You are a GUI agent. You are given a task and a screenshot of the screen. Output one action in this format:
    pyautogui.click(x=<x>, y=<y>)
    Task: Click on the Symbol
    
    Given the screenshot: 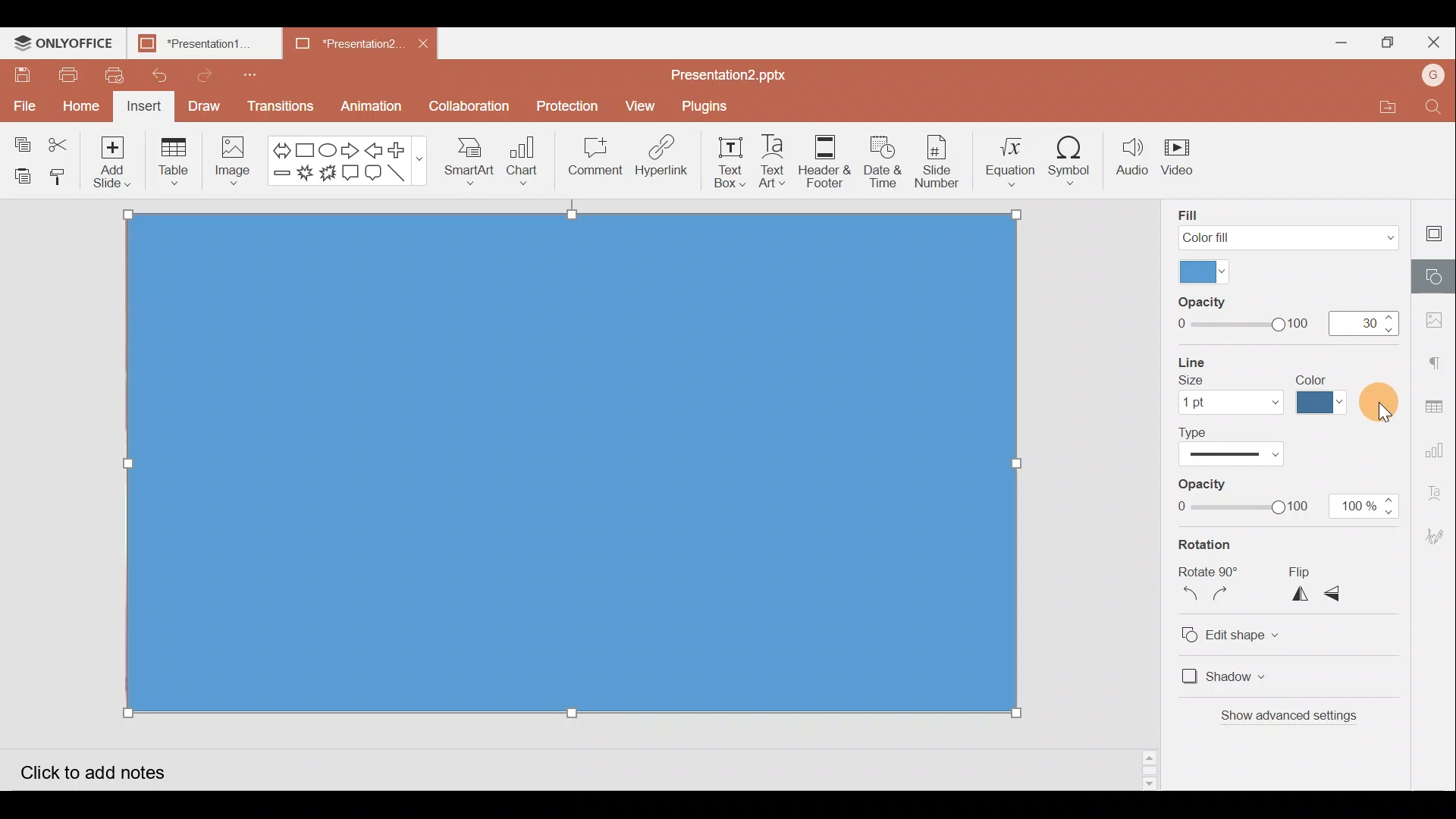 What is the action you would take?
    pyautogui.click(x=1075, y=160)
    